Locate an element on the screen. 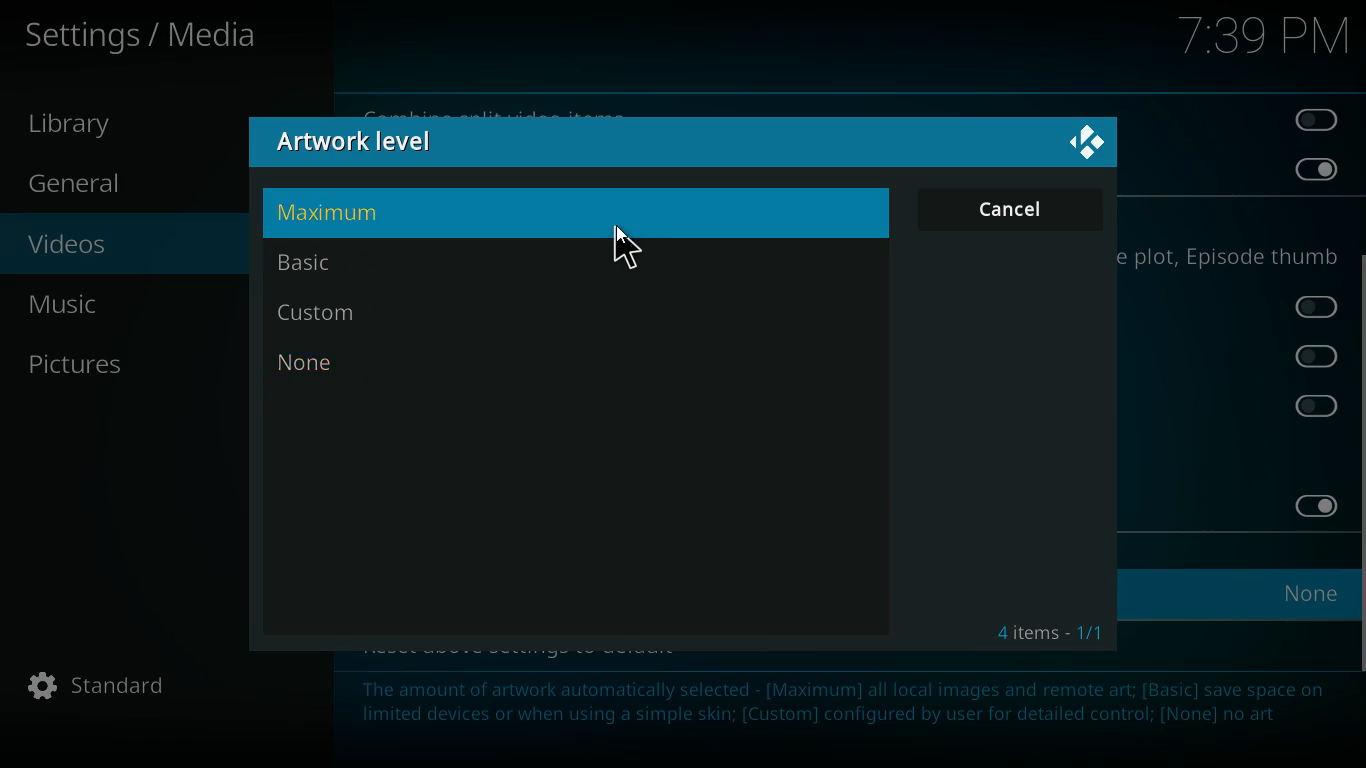 This screenshot has width=1366, height=768. custom is located at coordinates (545, 312).